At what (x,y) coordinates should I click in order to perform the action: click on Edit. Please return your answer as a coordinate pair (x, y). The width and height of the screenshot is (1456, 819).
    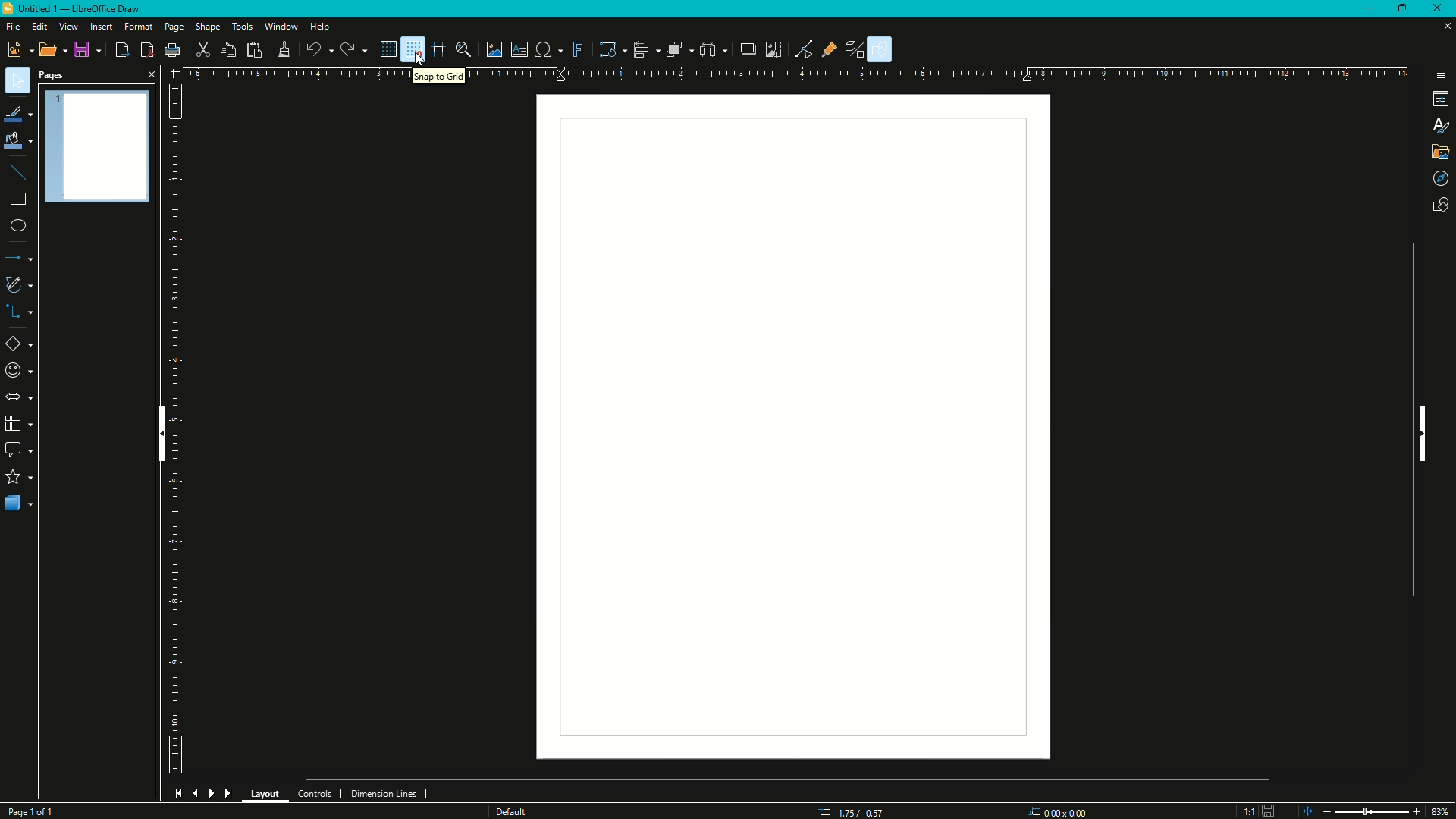
    Looking at the image, I should click on (41, 27).